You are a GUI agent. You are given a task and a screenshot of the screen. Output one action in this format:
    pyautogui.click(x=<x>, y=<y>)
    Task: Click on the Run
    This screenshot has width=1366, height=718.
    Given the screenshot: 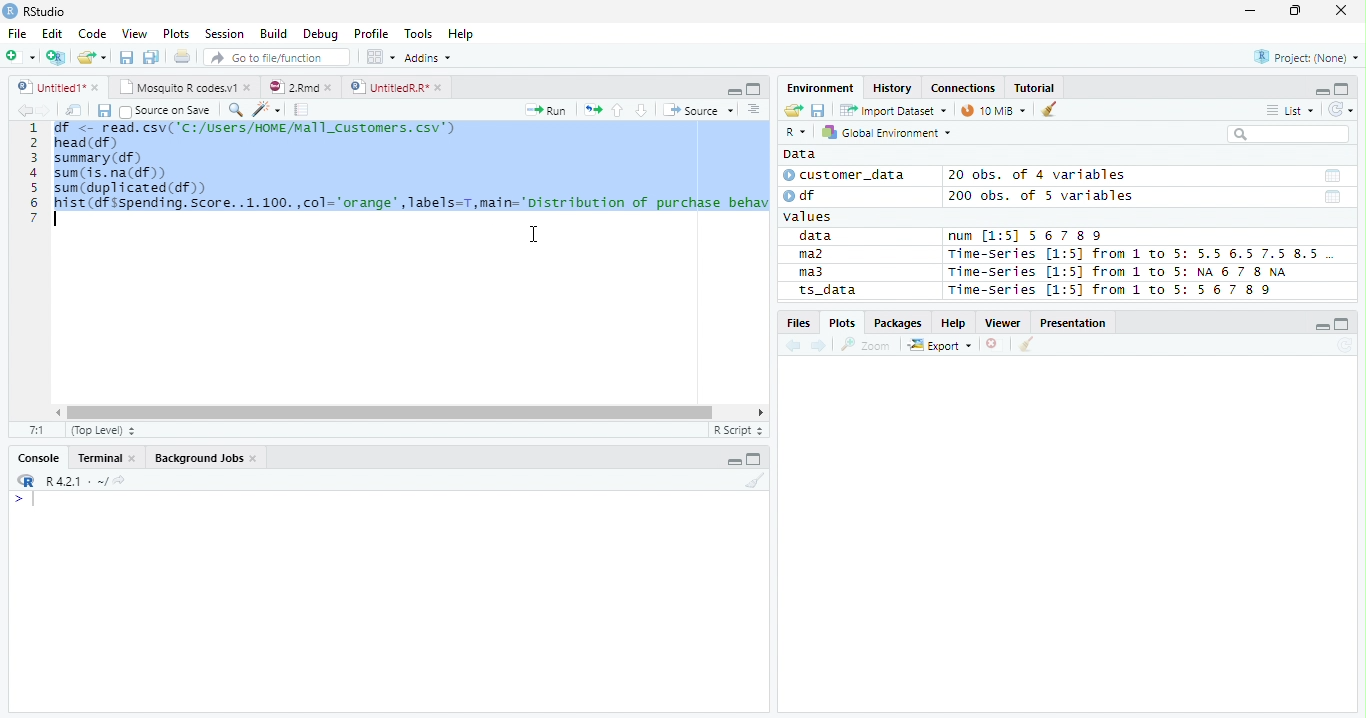 What is the action you would take?
    pyautogui.click(x=548, y=111)
    